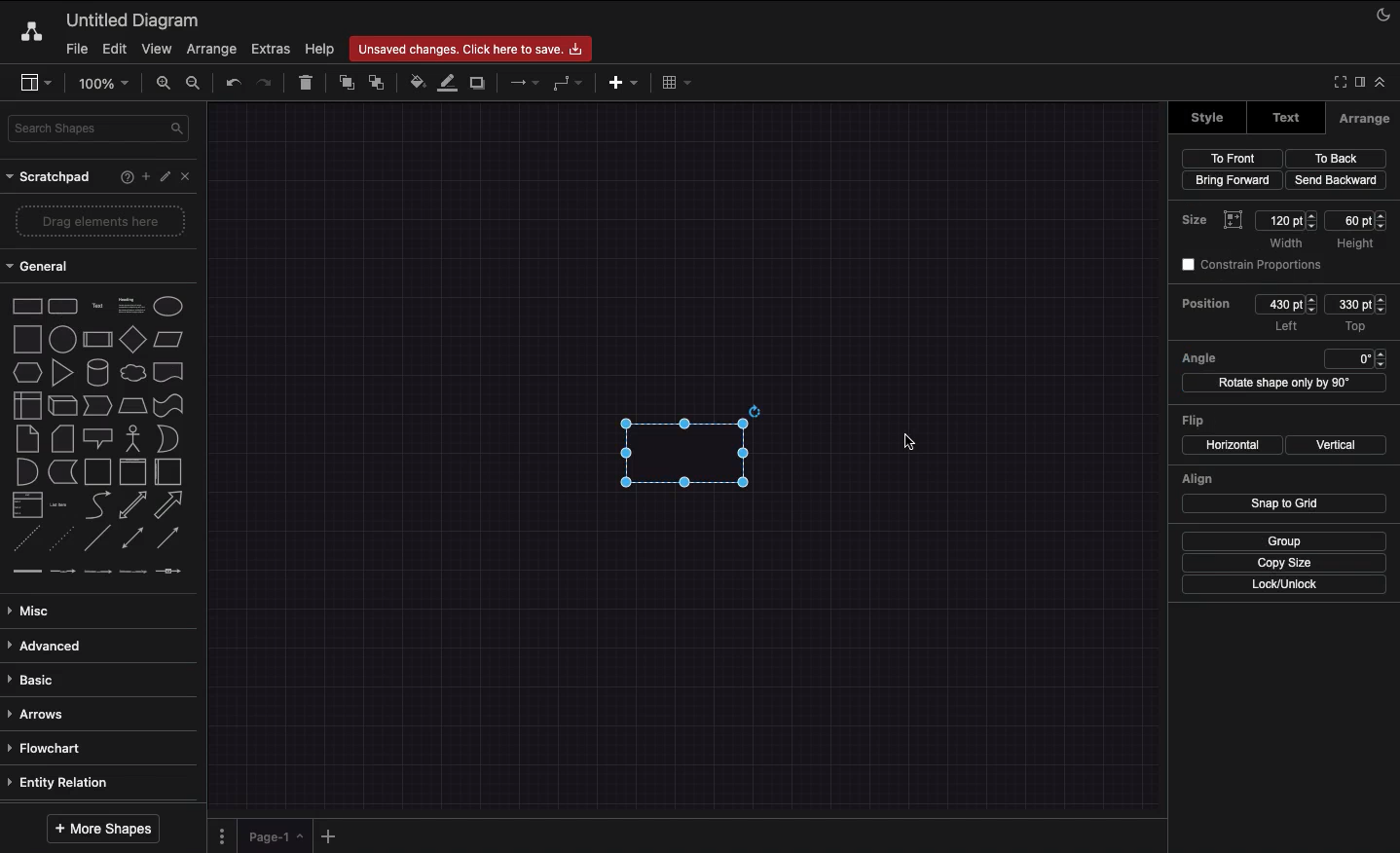  What do you see at coordinates (570, 85) in the screenshot?
I see `Waypoints` at bounding box center [570, 85].